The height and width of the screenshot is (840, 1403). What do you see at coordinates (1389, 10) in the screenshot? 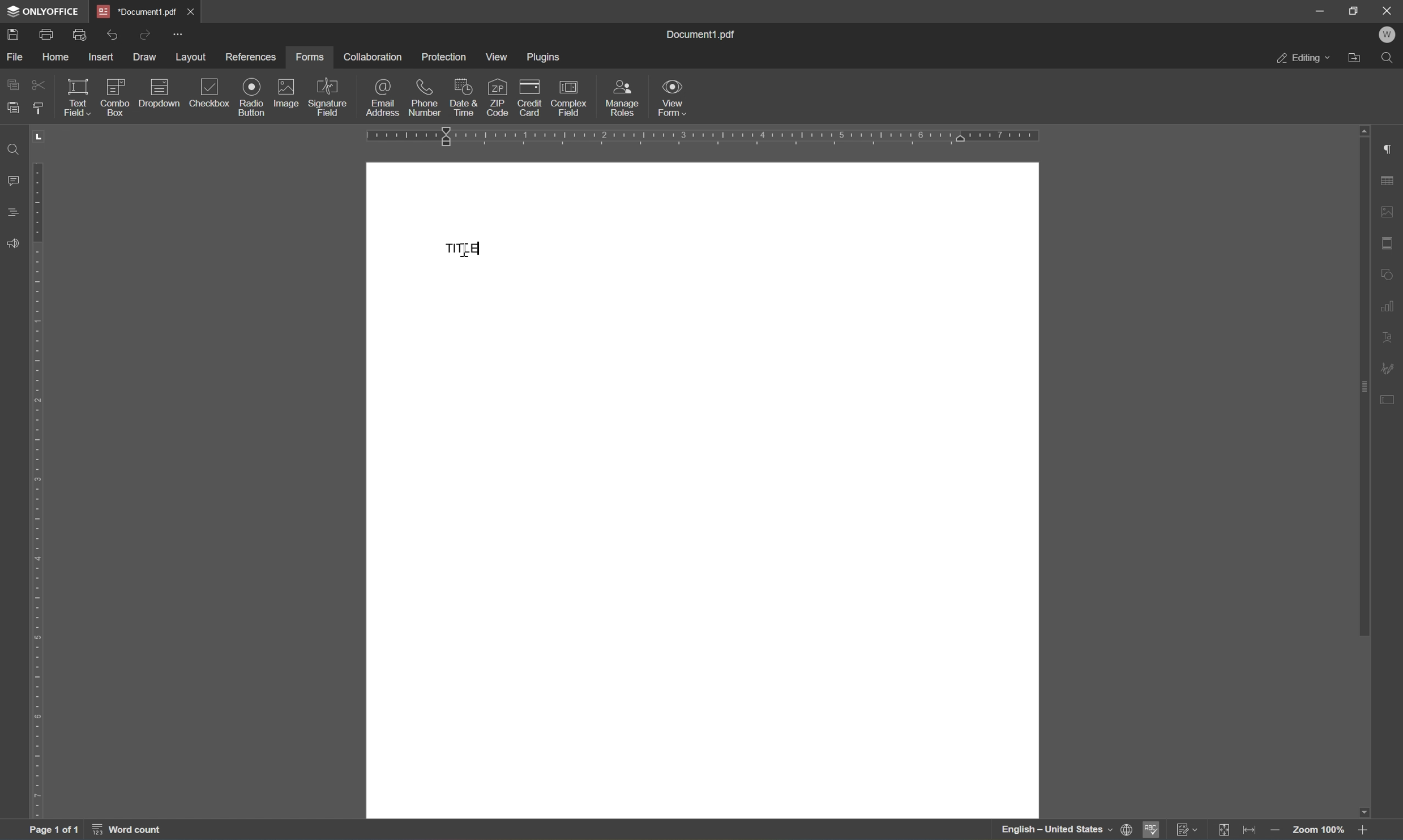
I see `close` at bounding box center [1389, 10].